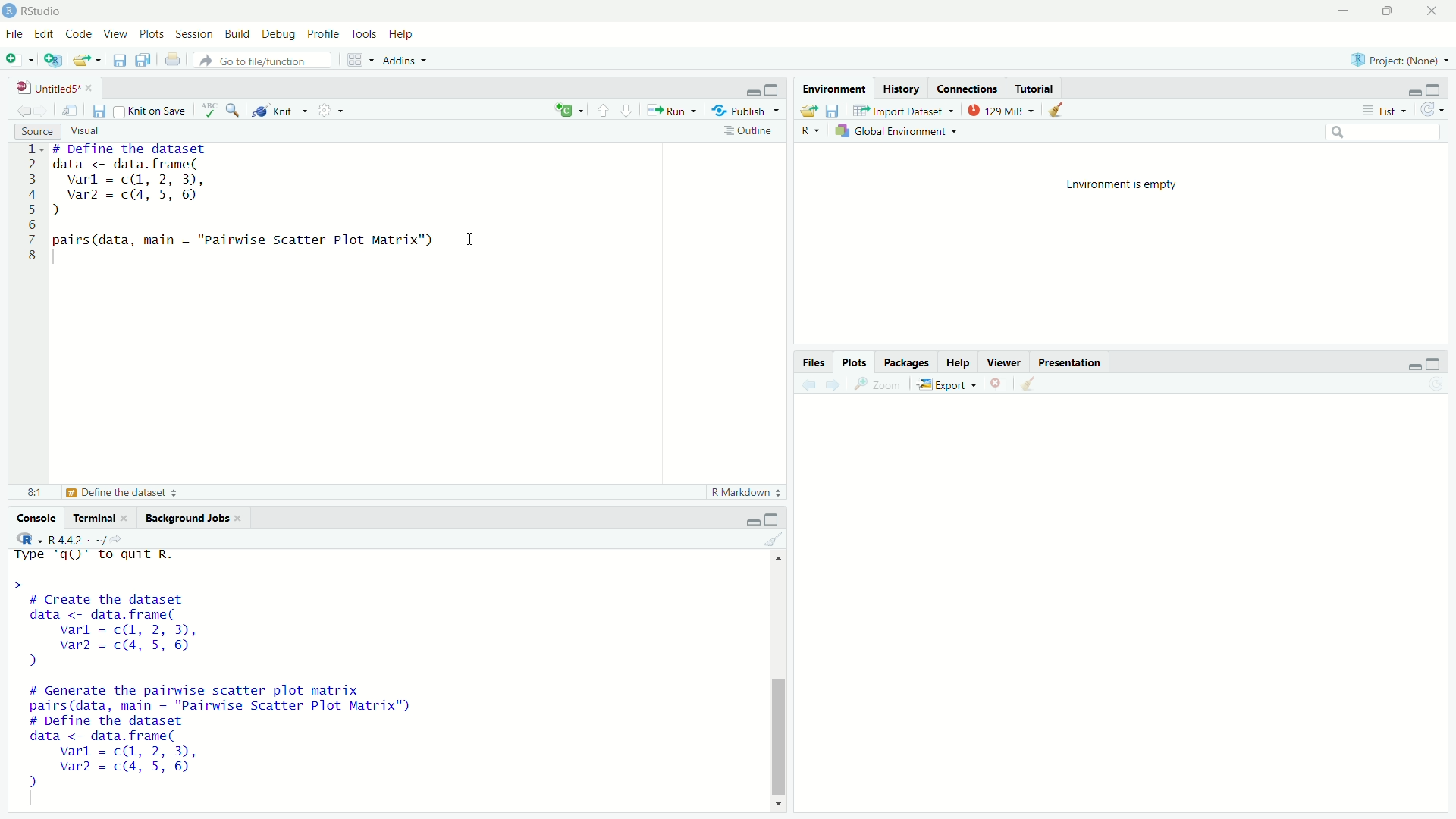 The image size is (1456, 819). I want to click on Print the current file, so click(172, 58).